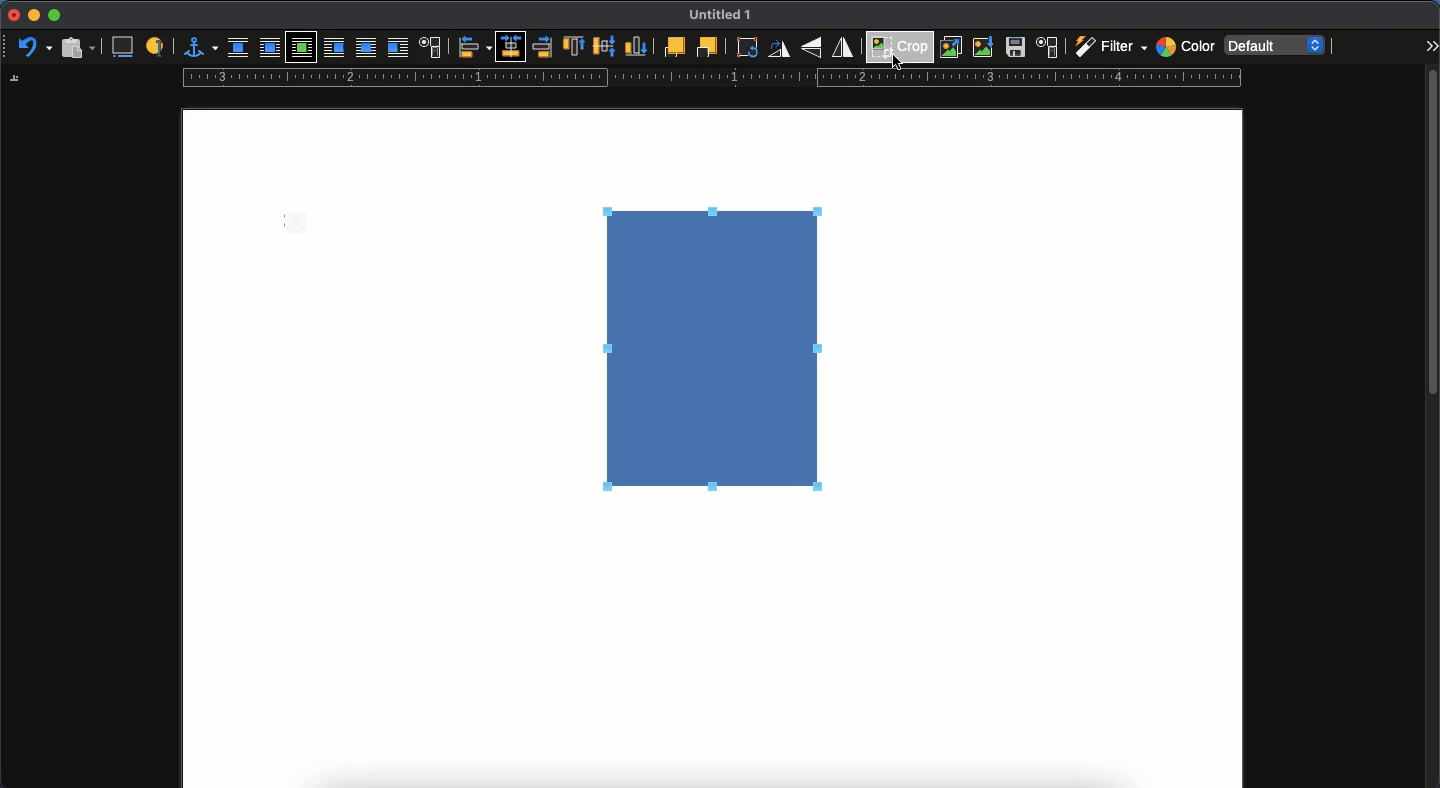  I want to click on scroll, so click(1433, 427).